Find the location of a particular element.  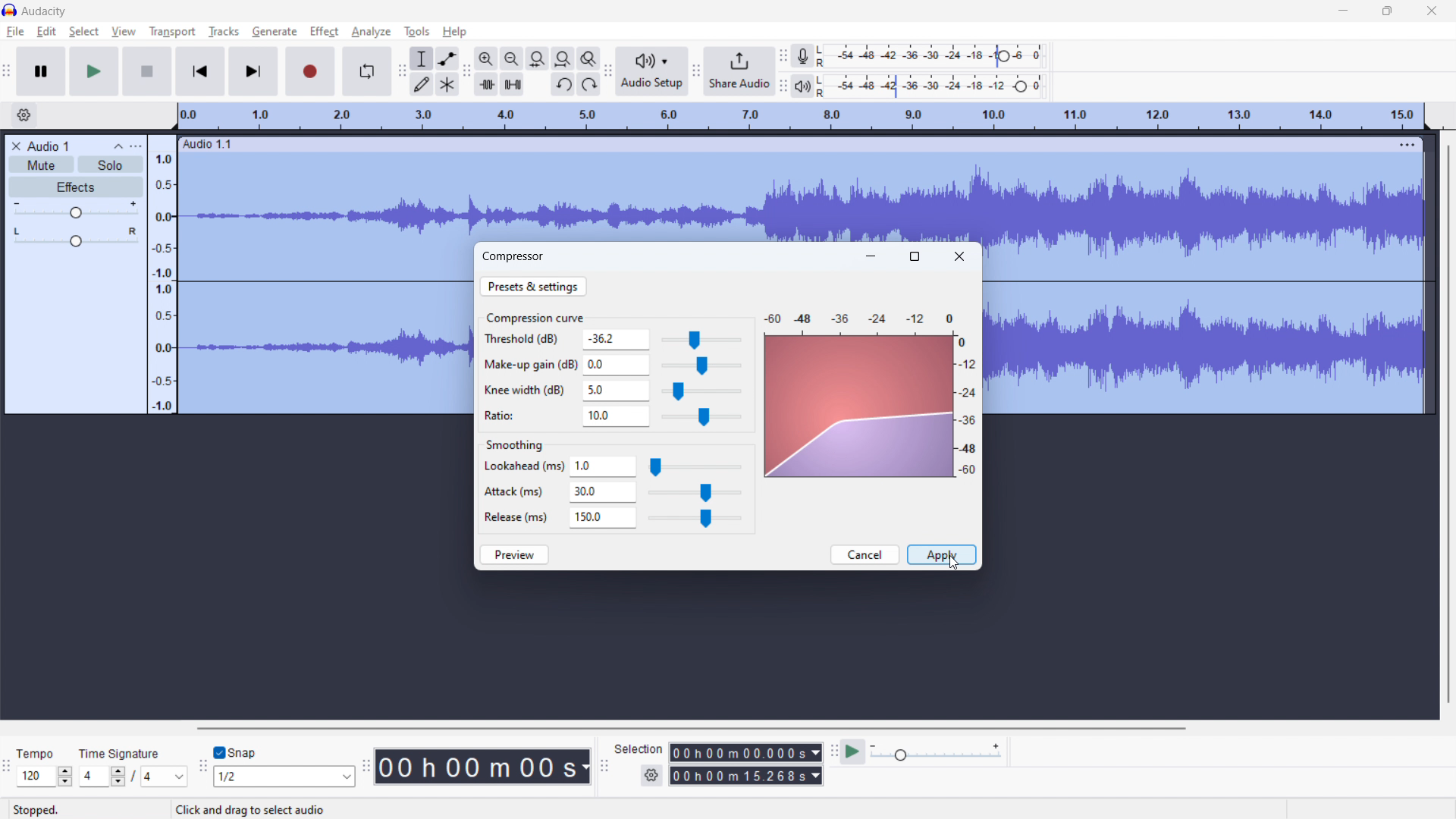

redo is located at coordinates (588, 84).